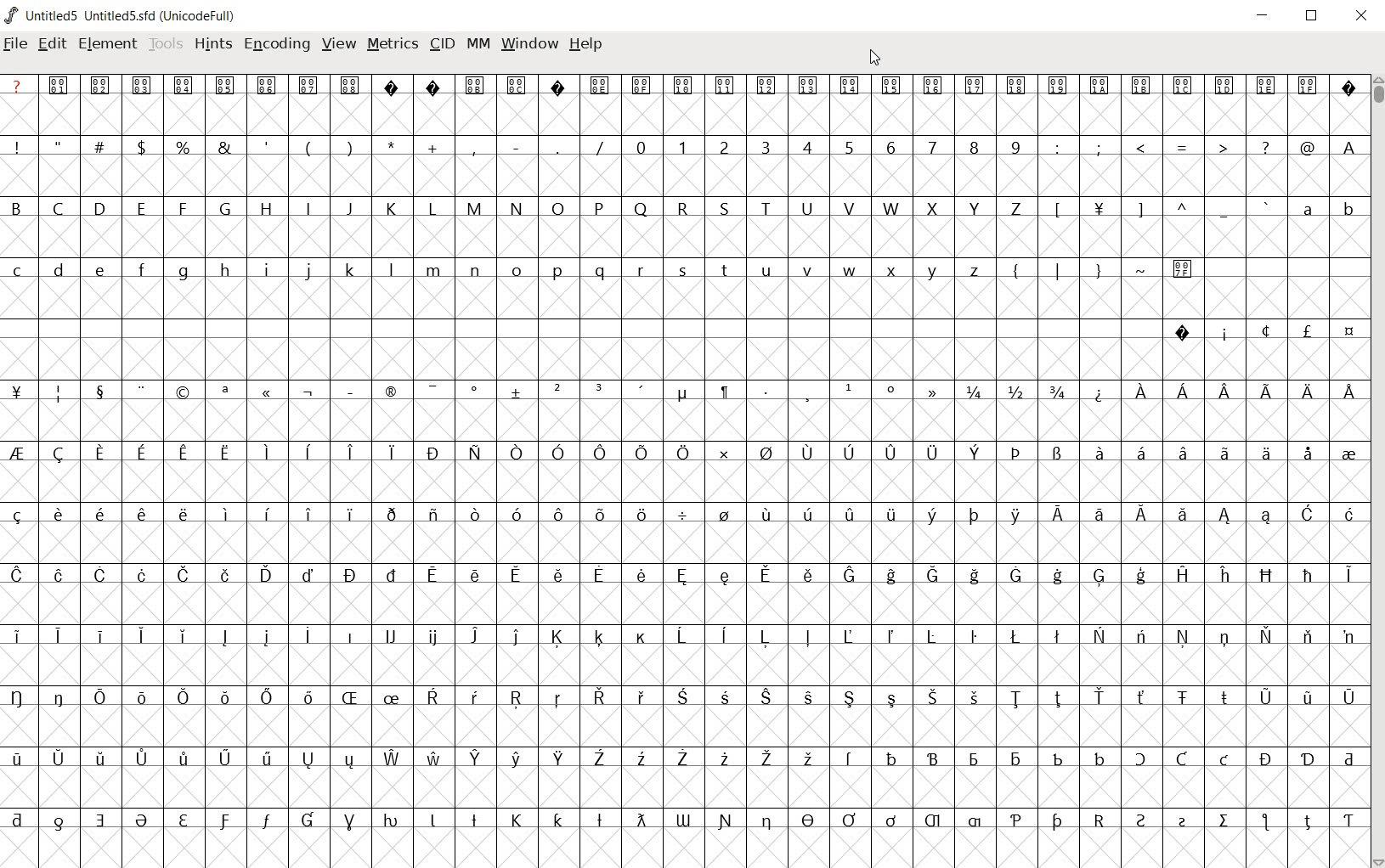  What do you see at coordinates (806, 576) in the screenshot?
I see `Symbol` at bounding box center [806, 576].